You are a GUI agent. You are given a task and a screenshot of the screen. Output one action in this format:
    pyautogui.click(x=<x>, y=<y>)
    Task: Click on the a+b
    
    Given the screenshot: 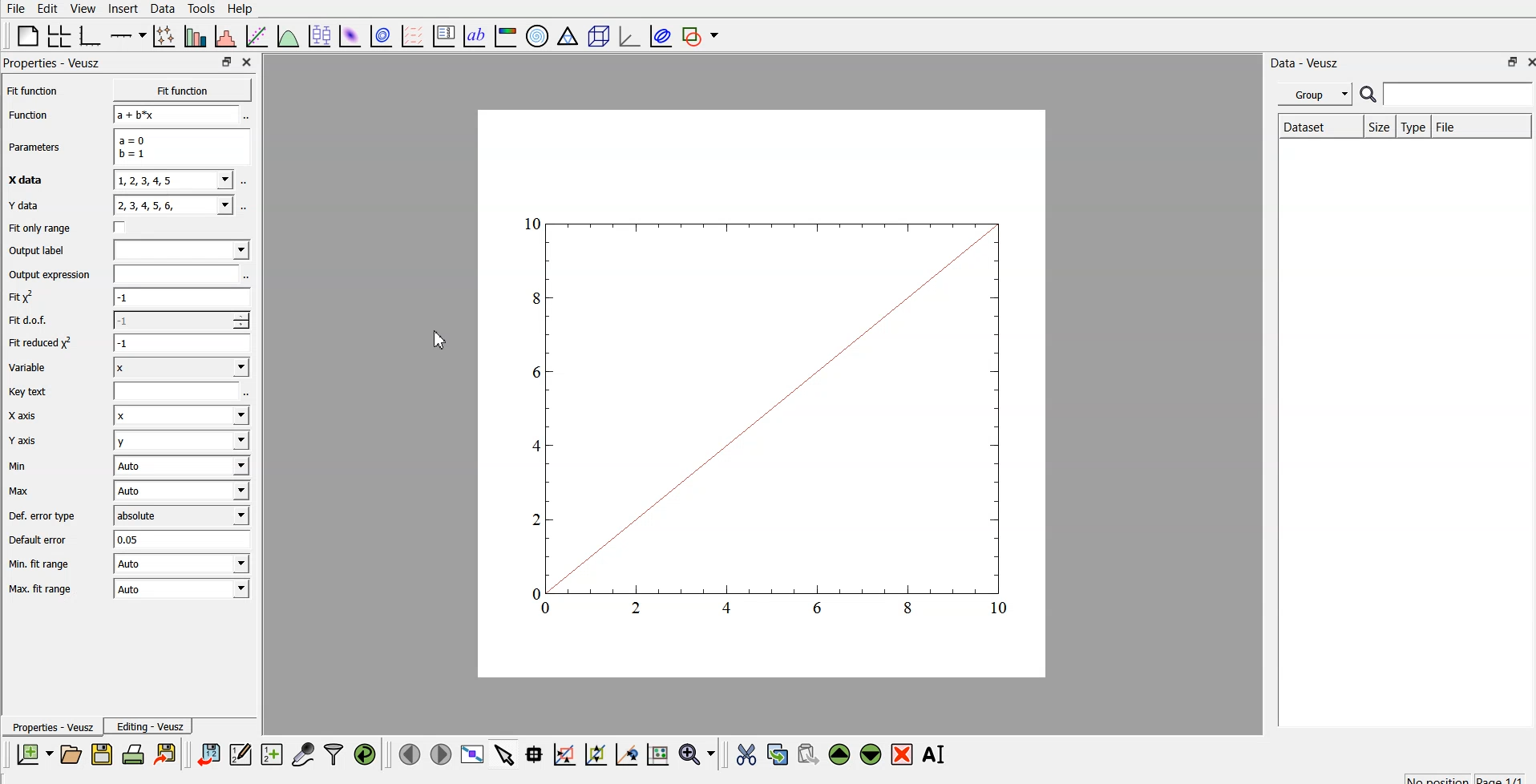 What is the action you would take?
    pyautogui.click(x=175, y=115)
    